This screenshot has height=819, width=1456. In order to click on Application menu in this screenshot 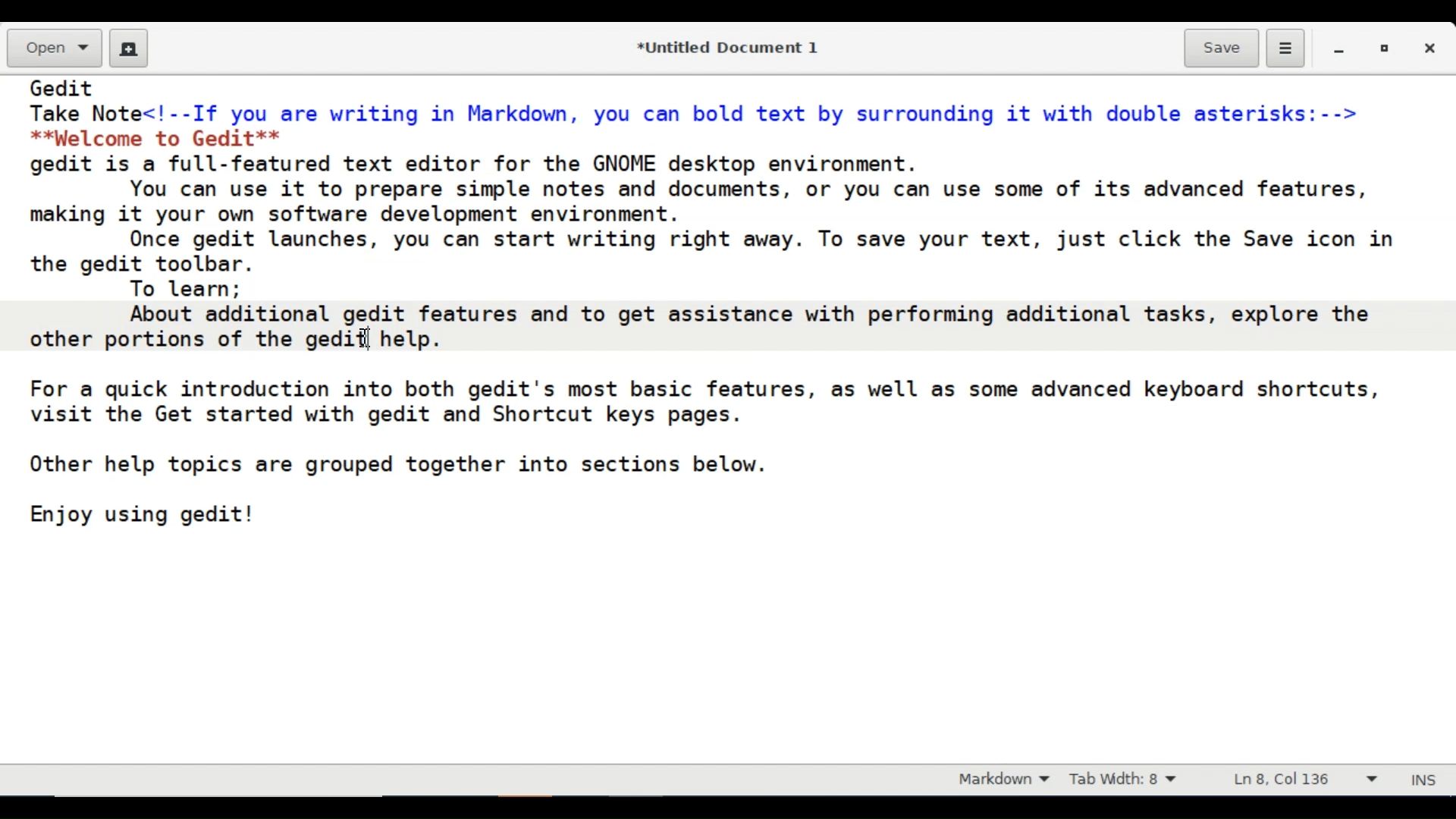, I will do `click(1285, 49)`.